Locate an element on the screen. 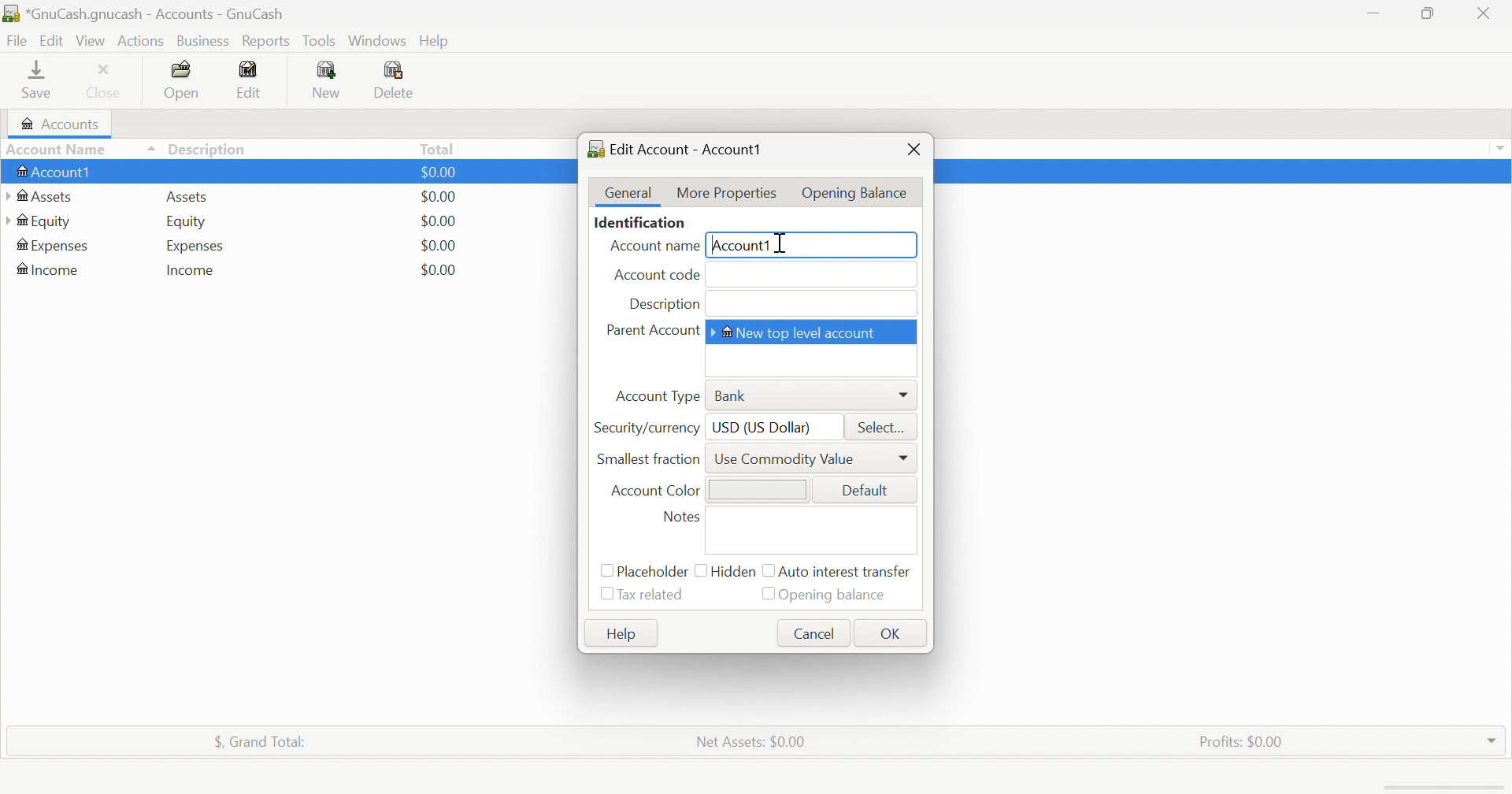 The height and width of the screenshot is (794, 1512). Edit is located at coordinates (50, 40).